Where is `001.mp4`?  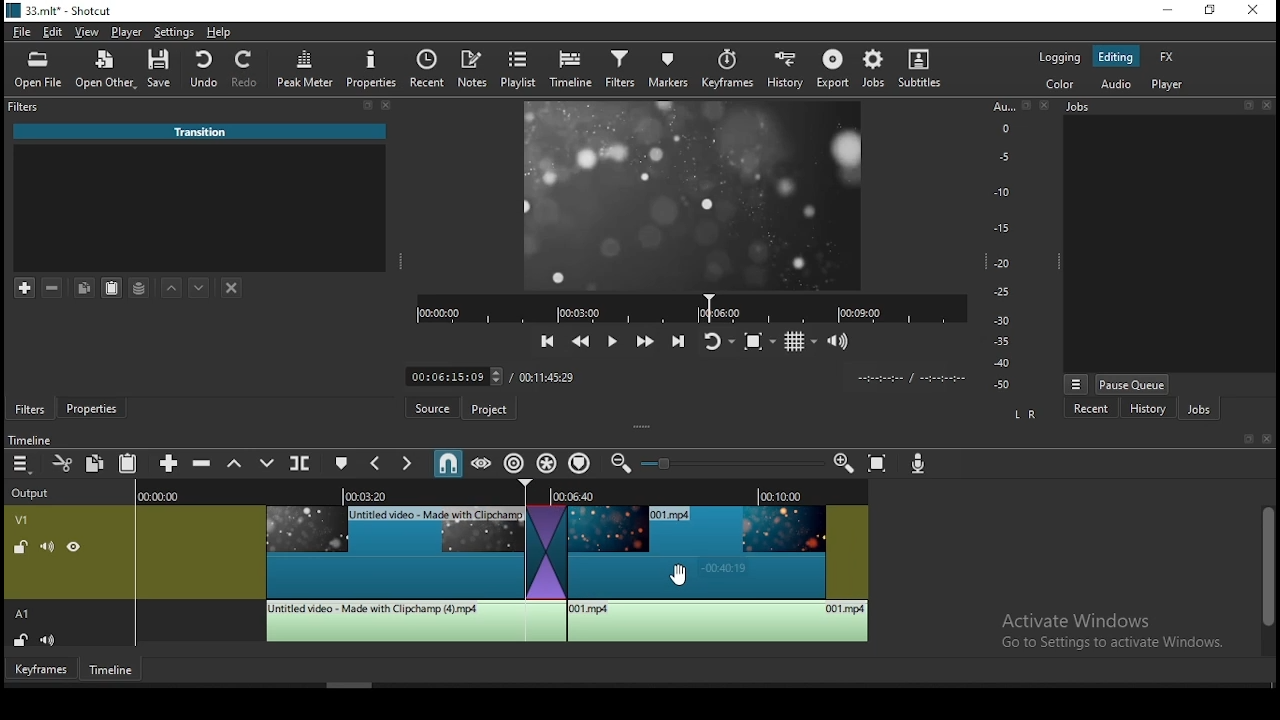 001.mp4 is located at coordinates (203, 132).